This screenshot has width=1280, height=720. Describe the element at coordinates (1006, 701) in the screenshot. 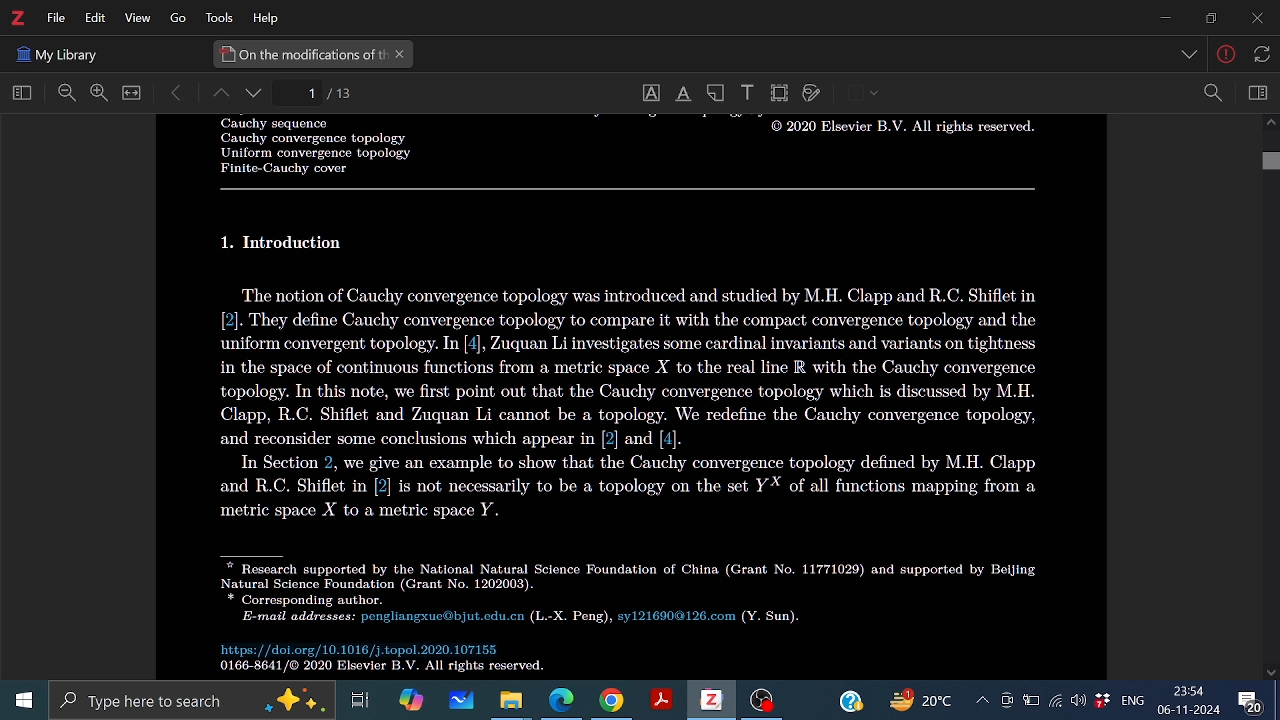

I see `Meet` at that location.